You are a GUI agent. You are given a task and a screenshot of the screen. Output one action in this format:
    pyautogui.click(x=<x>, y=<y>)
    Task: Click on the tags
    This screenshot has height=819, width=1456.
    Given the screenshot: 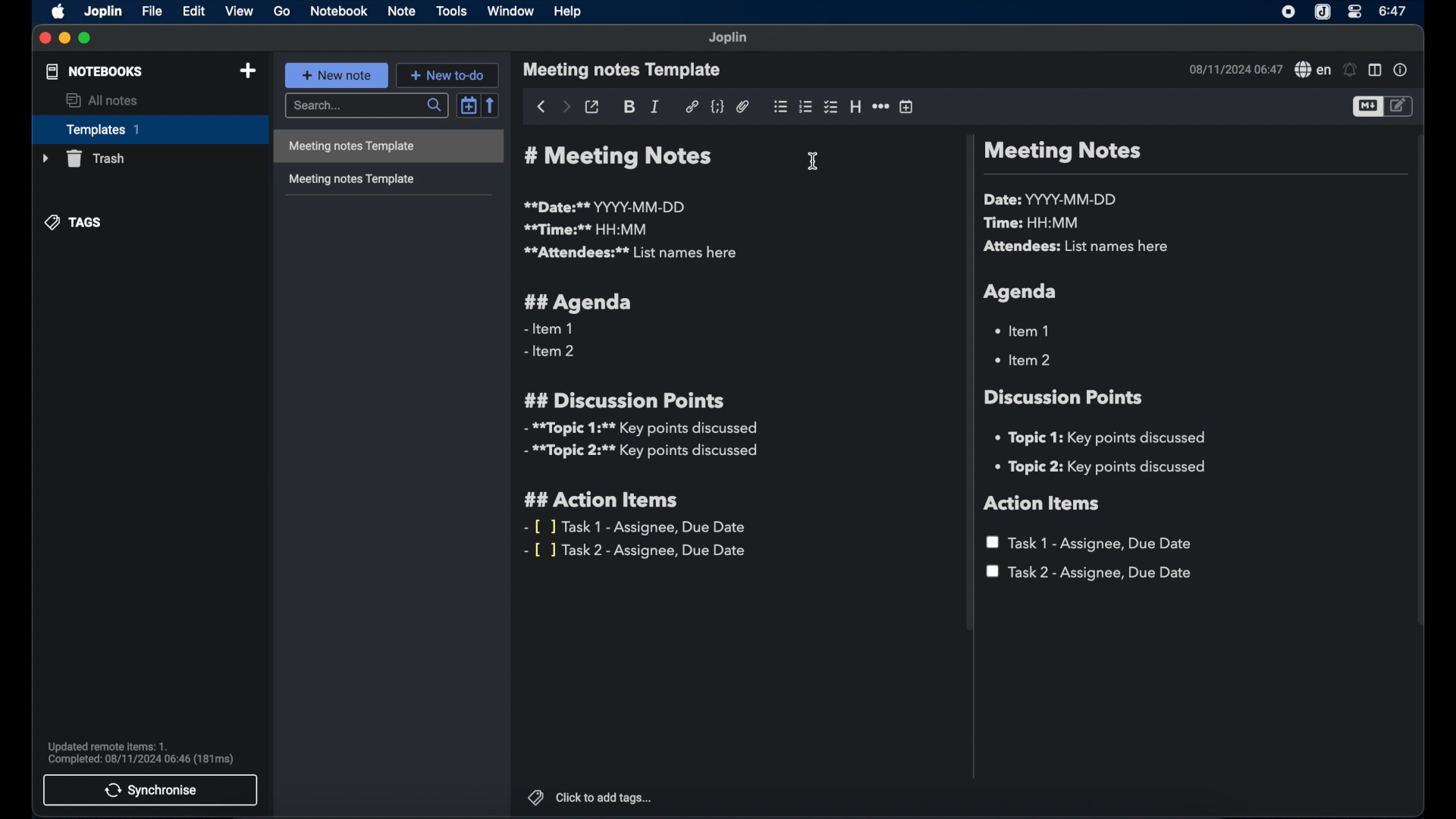 What is the action you would take?
    pyautogui.click(x=75, y=222)
    